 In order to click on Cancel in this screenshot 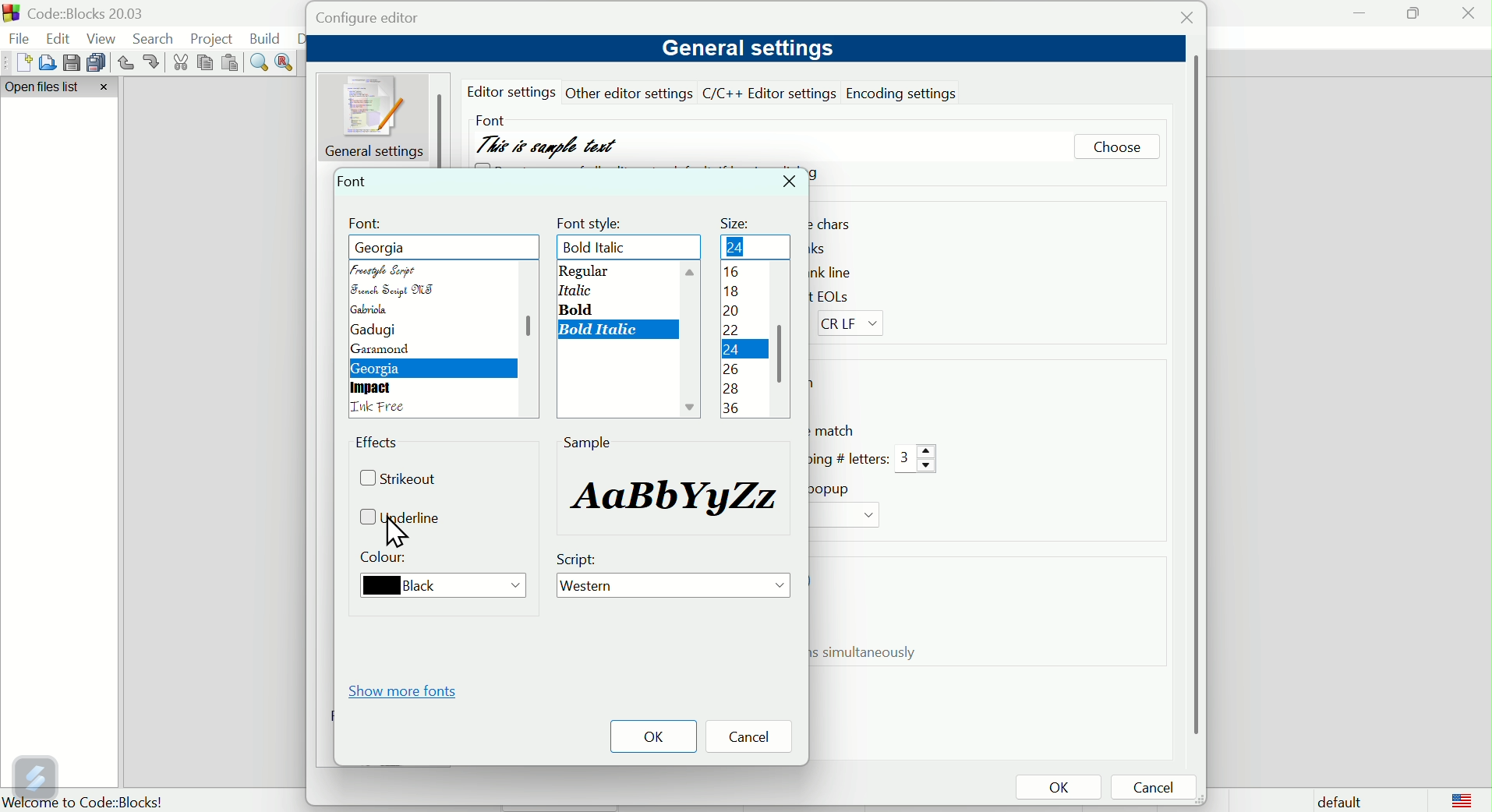, I will do `click(755, 738)`.